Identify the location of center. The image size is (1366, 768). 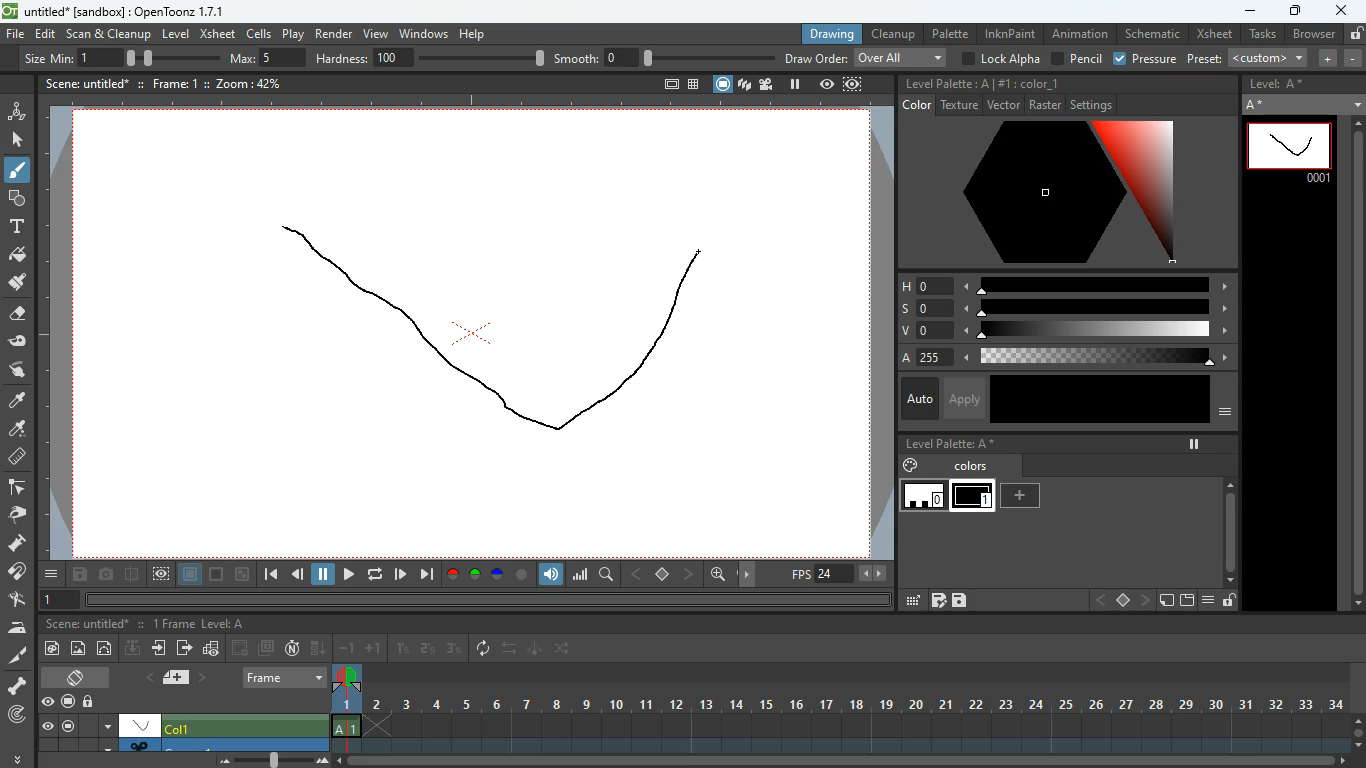
(663, 573).